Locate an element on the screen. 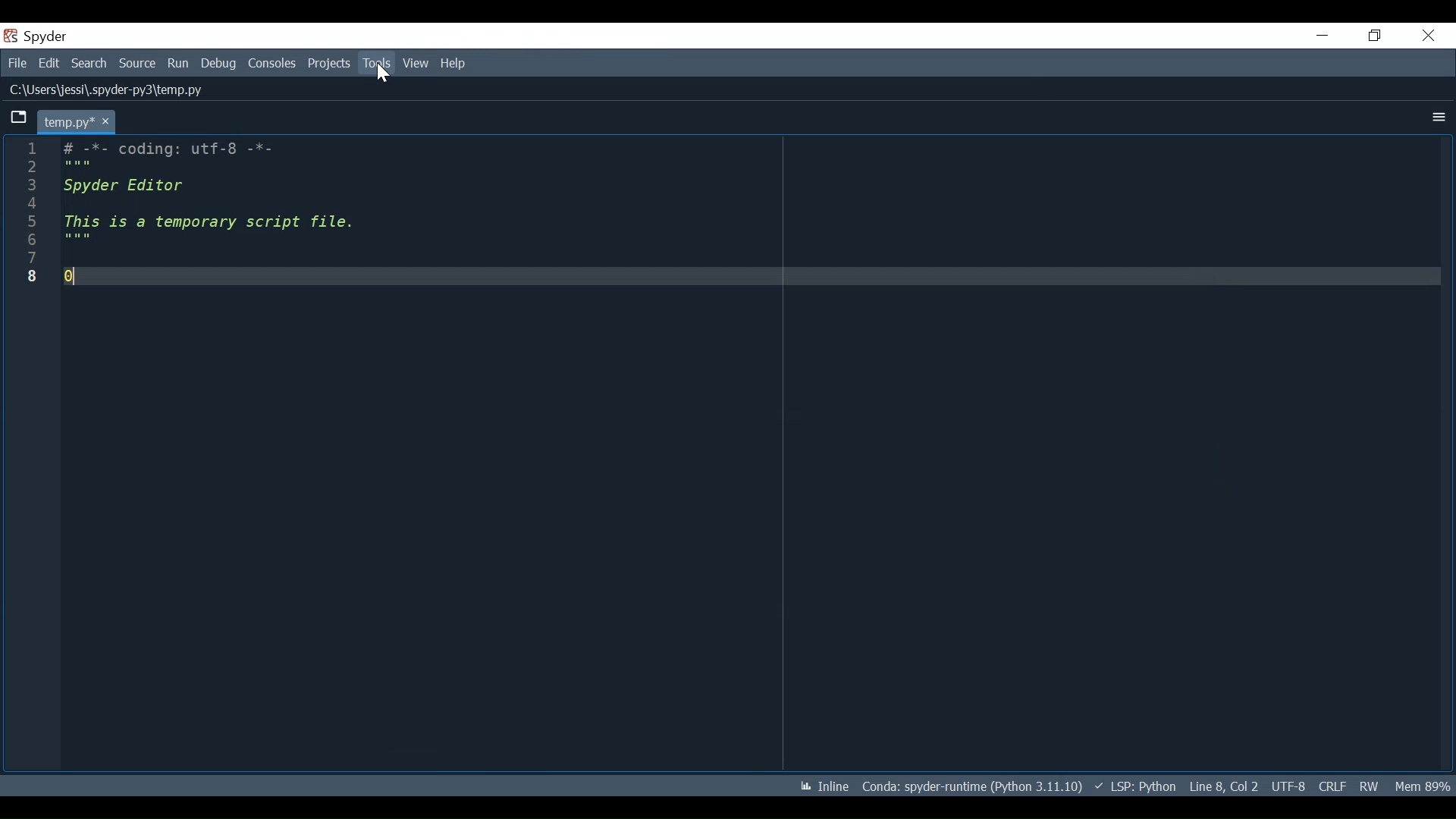 Image resolution: width=1456 pixels, height=819 pixels. Language is located at coordinates (1135, 785).